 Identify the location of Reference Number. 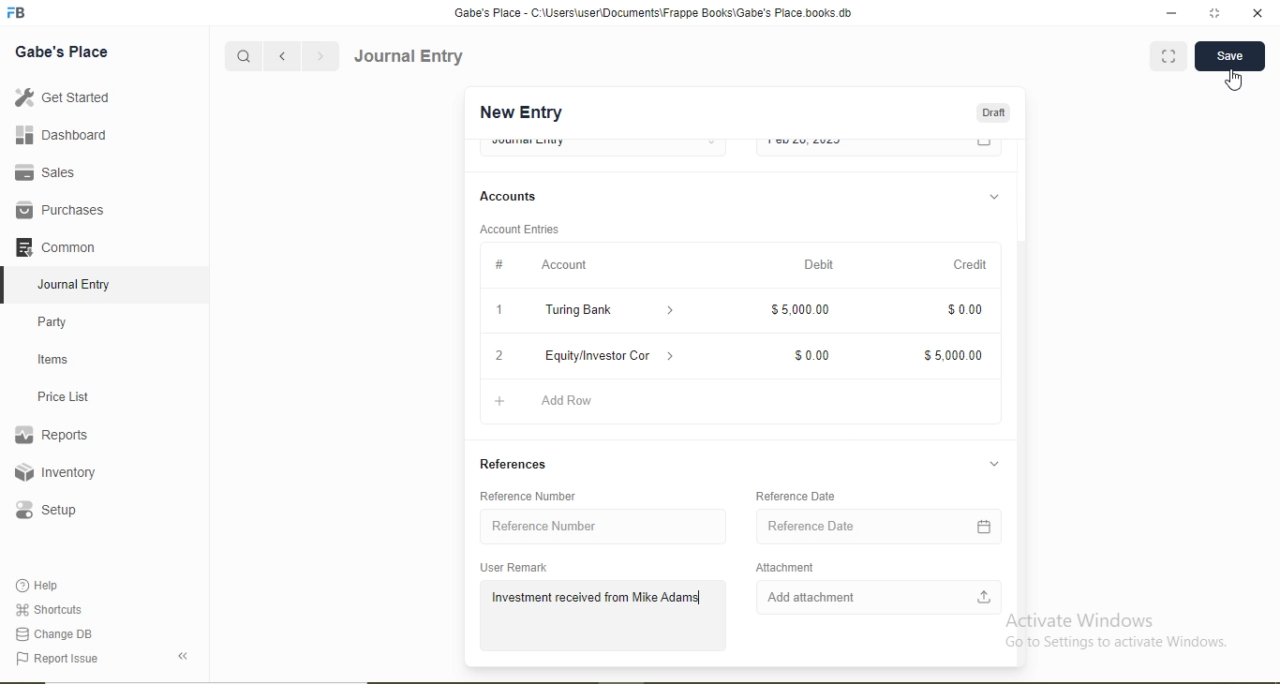
(527, 496).